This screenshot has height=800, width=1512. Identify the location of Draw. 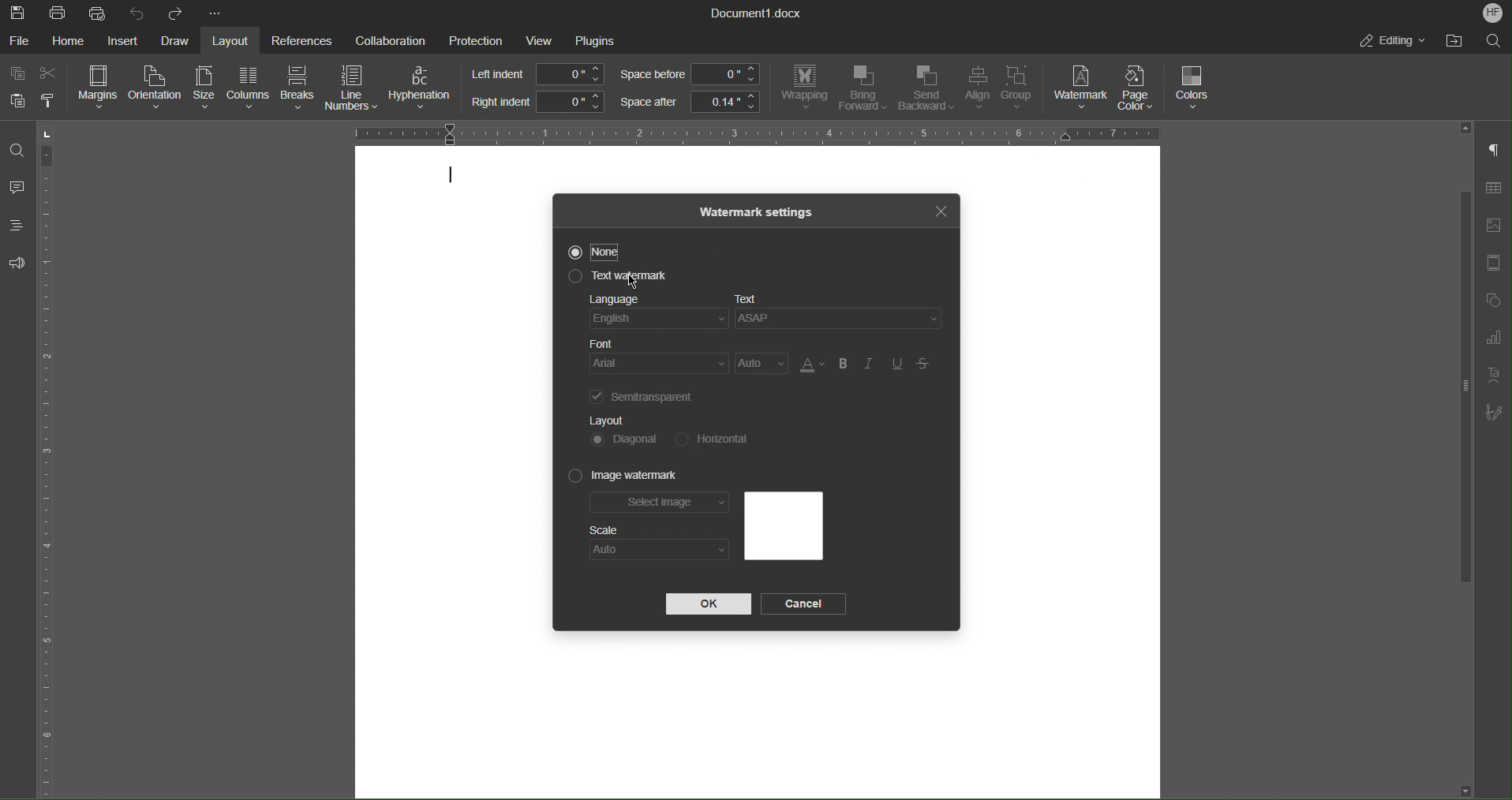
(176, 41).